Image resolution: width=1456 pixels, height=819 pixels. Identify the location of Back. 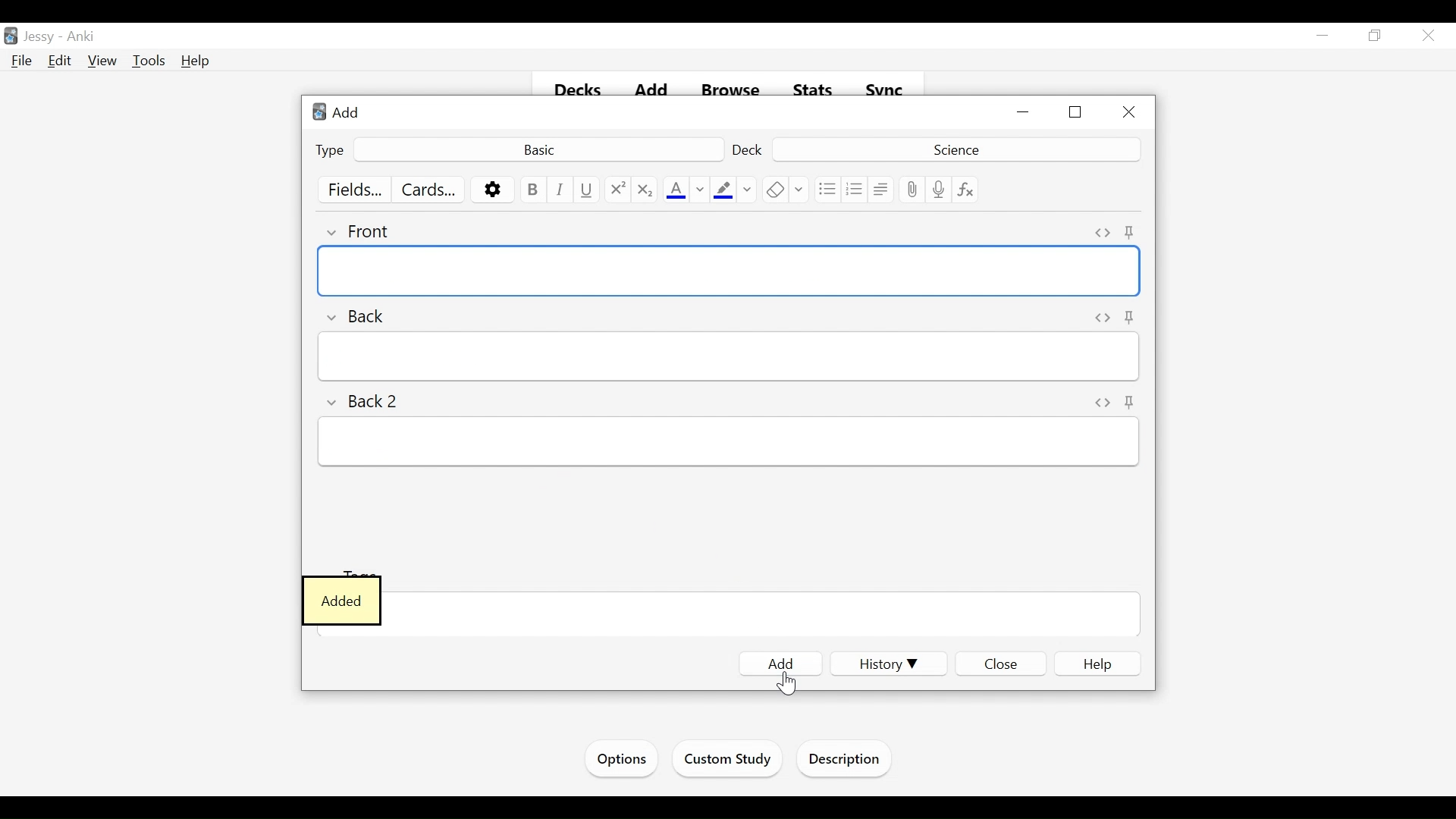
(362, 315).